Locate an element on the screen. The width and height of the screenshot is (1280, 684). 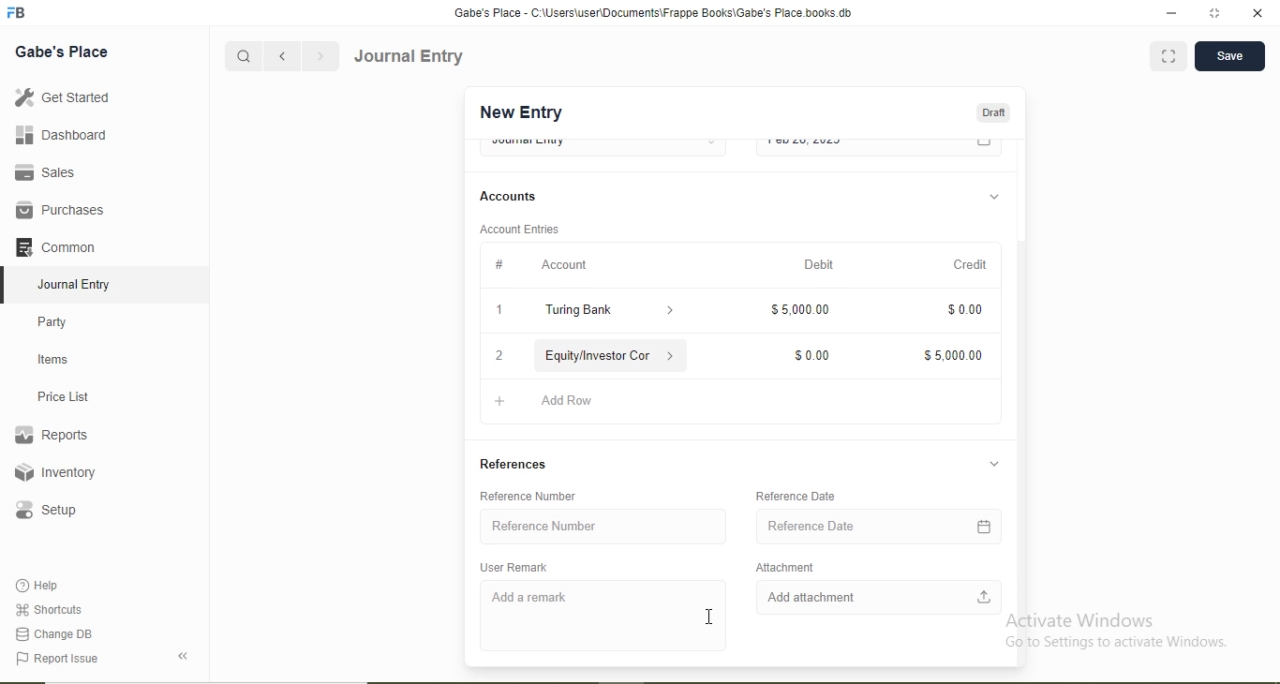
Equity/Investor Con is located at coordinates (598, 356).